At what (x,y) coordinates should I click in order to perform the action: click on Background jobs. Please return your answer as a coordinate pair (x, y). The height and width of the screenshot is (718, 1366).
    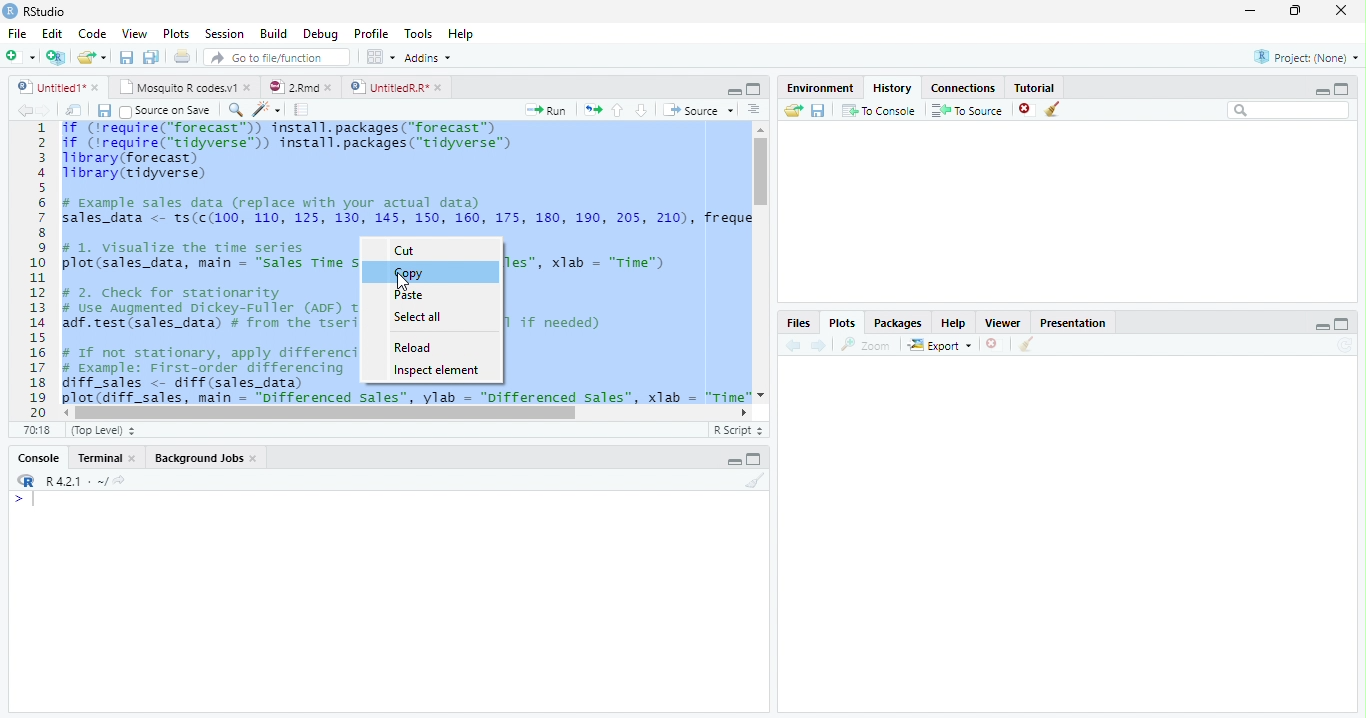
    Looking at the image, I should click on (206, 458).